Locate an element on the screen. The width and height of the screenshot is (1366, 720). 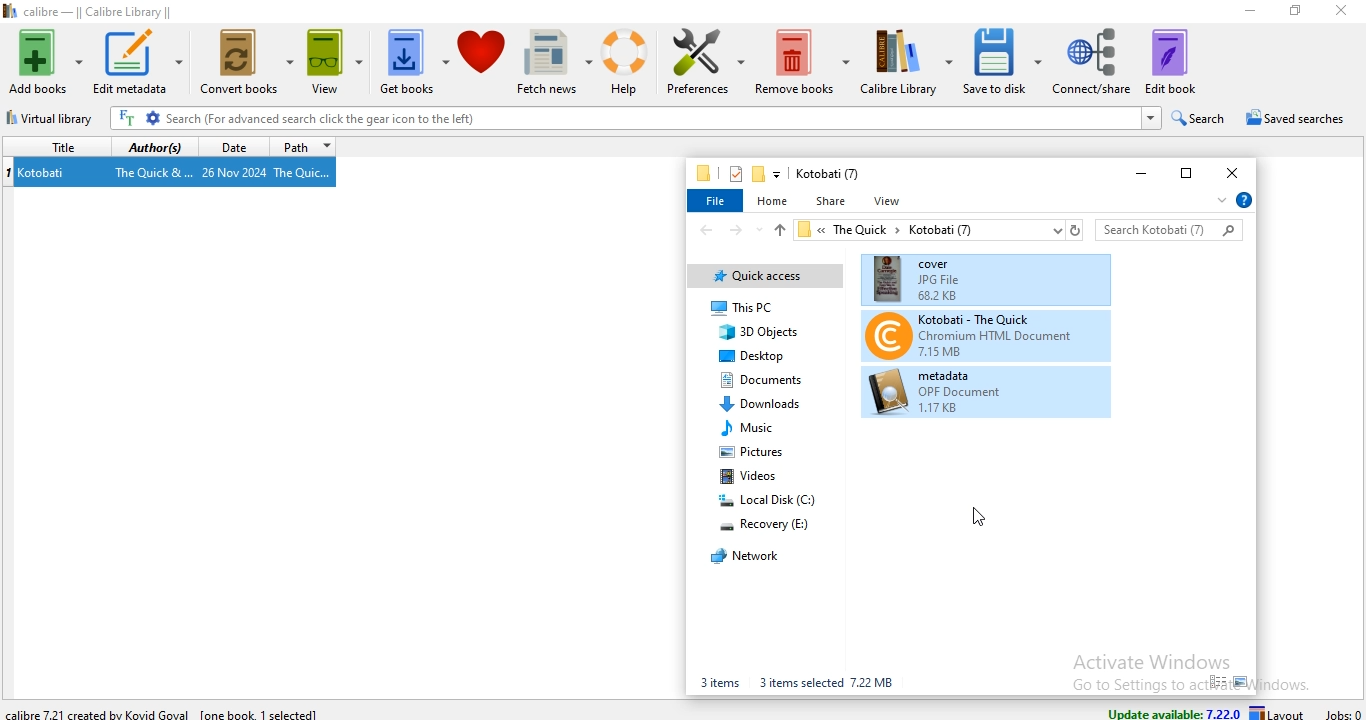
save to disk is located at coordinates (1003, 60).